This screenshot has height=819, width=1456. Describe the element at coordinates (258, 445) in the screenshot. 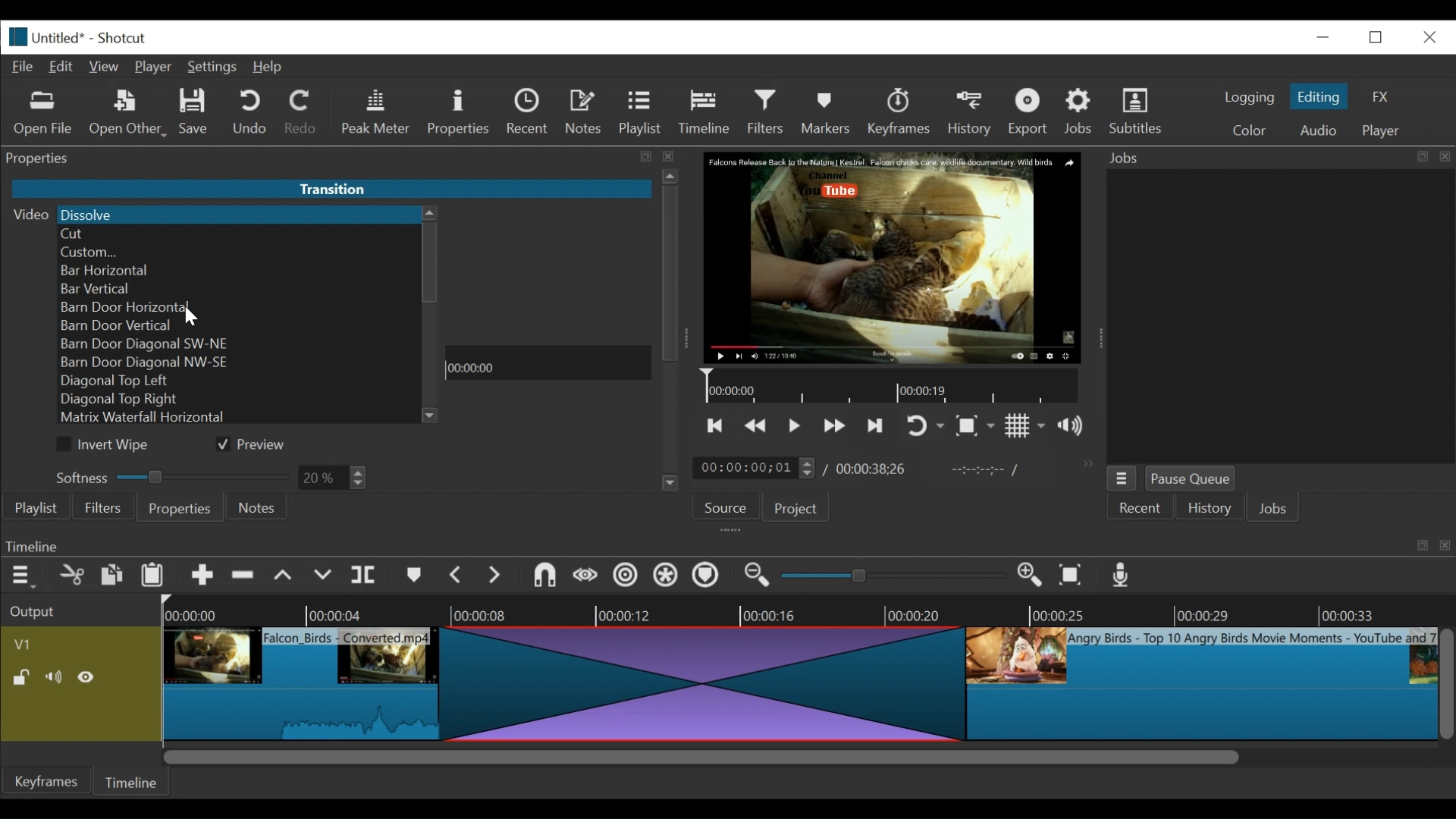

I see `(un)check Preview` at that location.